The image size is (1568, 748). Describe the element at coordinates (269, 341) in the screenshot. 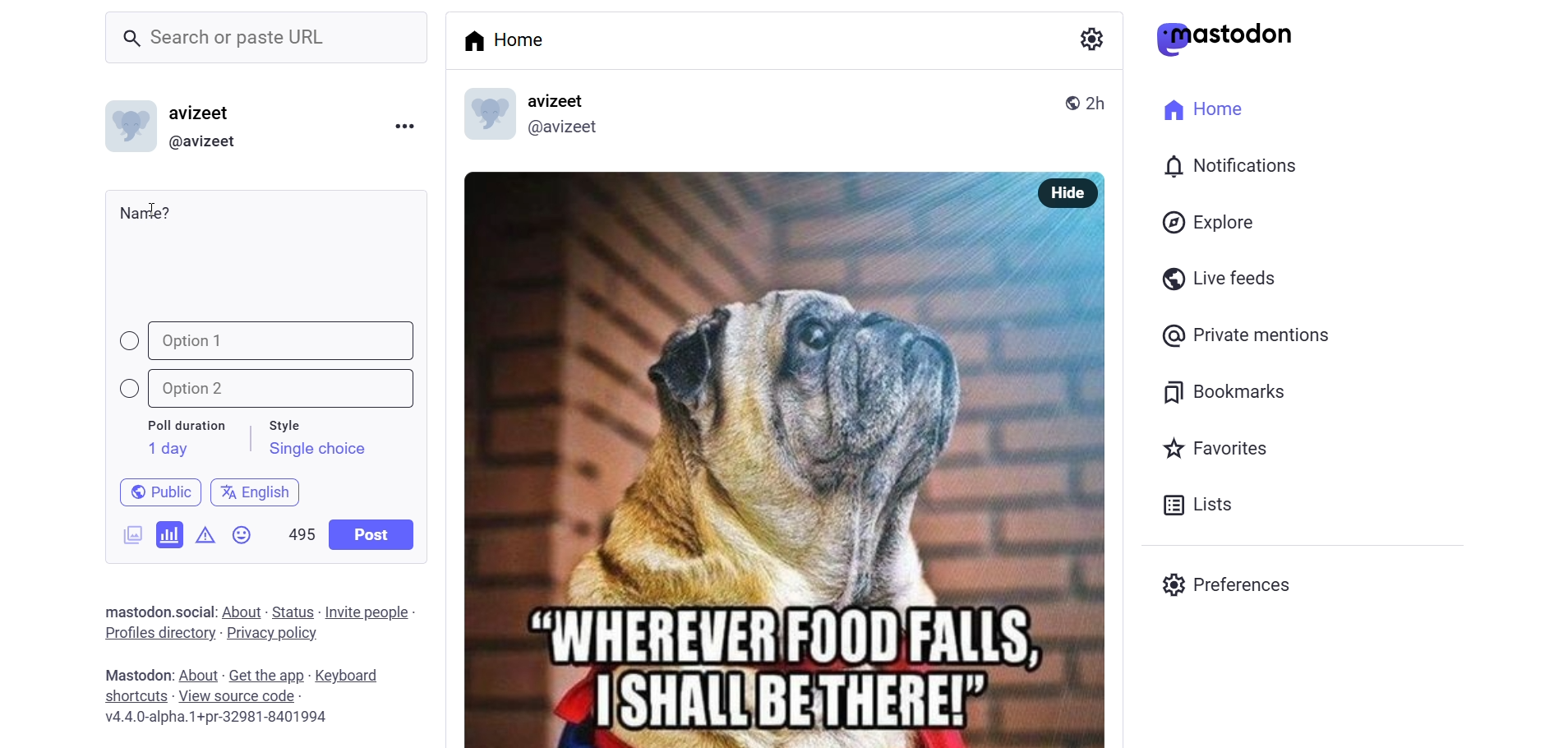

I see `option 1` at that location.